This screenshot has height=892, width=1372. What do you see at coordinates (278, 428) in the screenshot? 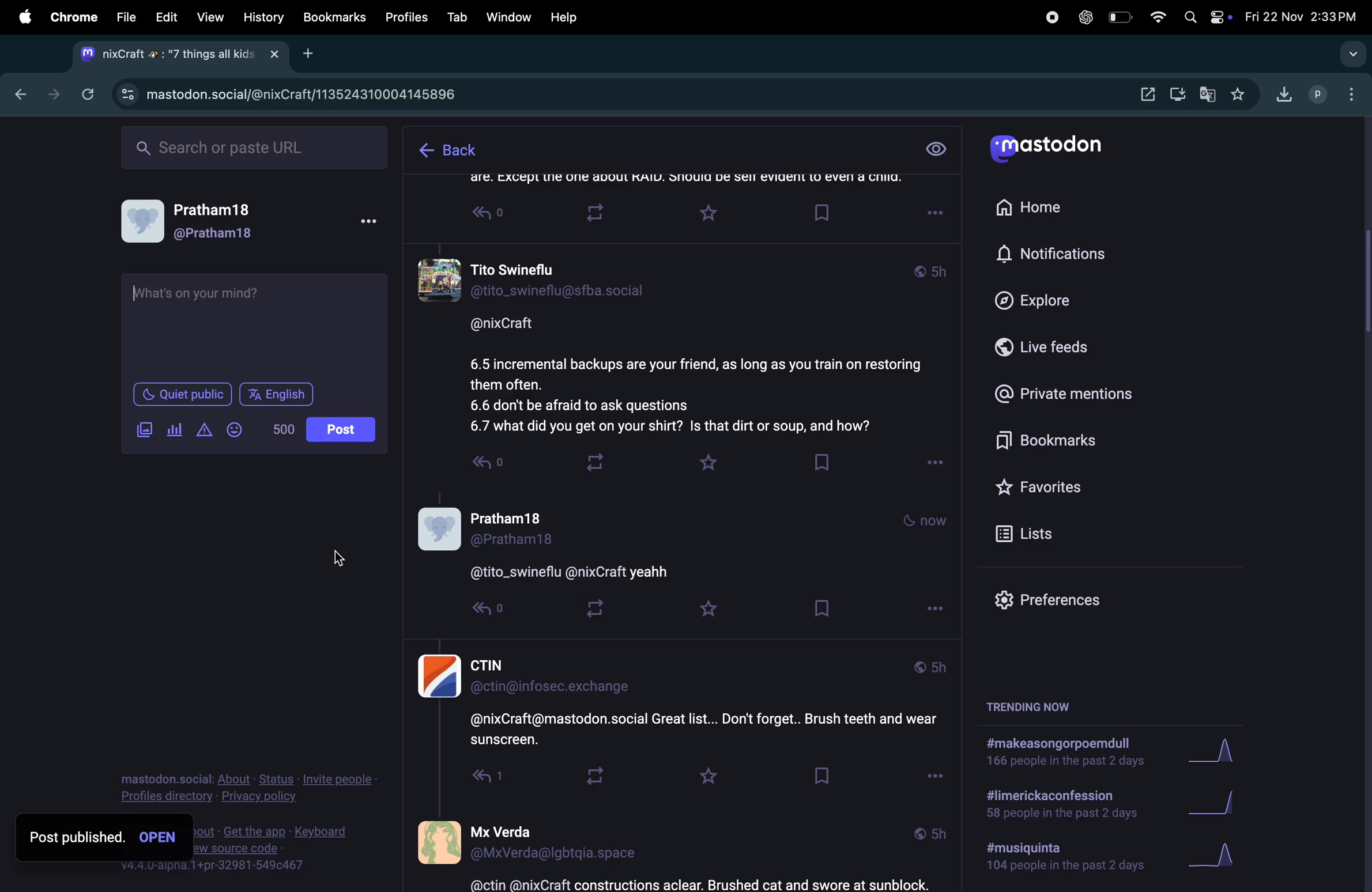
I see `inline words` at bounding box center [278, 428].